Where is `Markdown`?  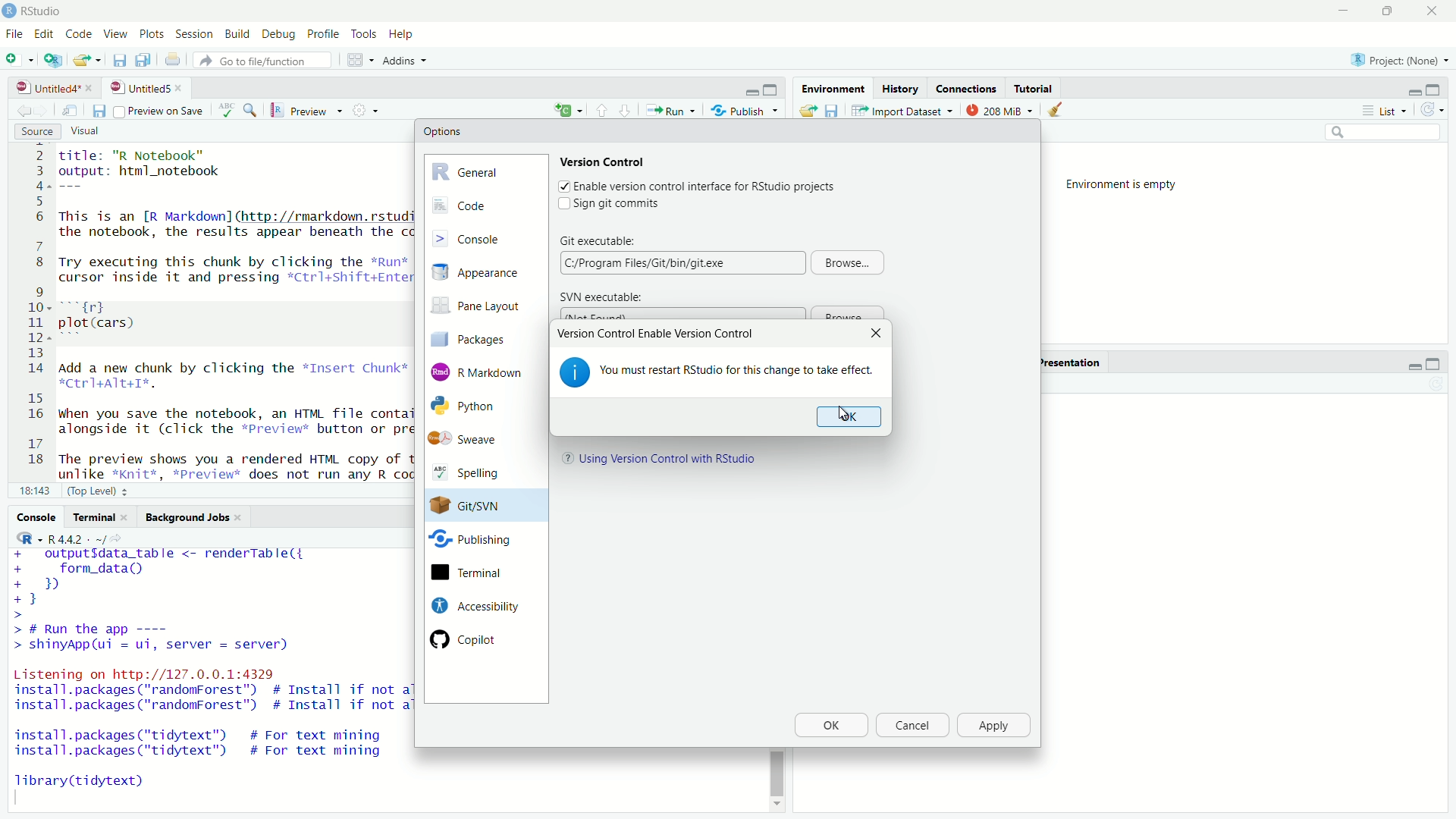
Markdown is located at coordinates (480, 371).